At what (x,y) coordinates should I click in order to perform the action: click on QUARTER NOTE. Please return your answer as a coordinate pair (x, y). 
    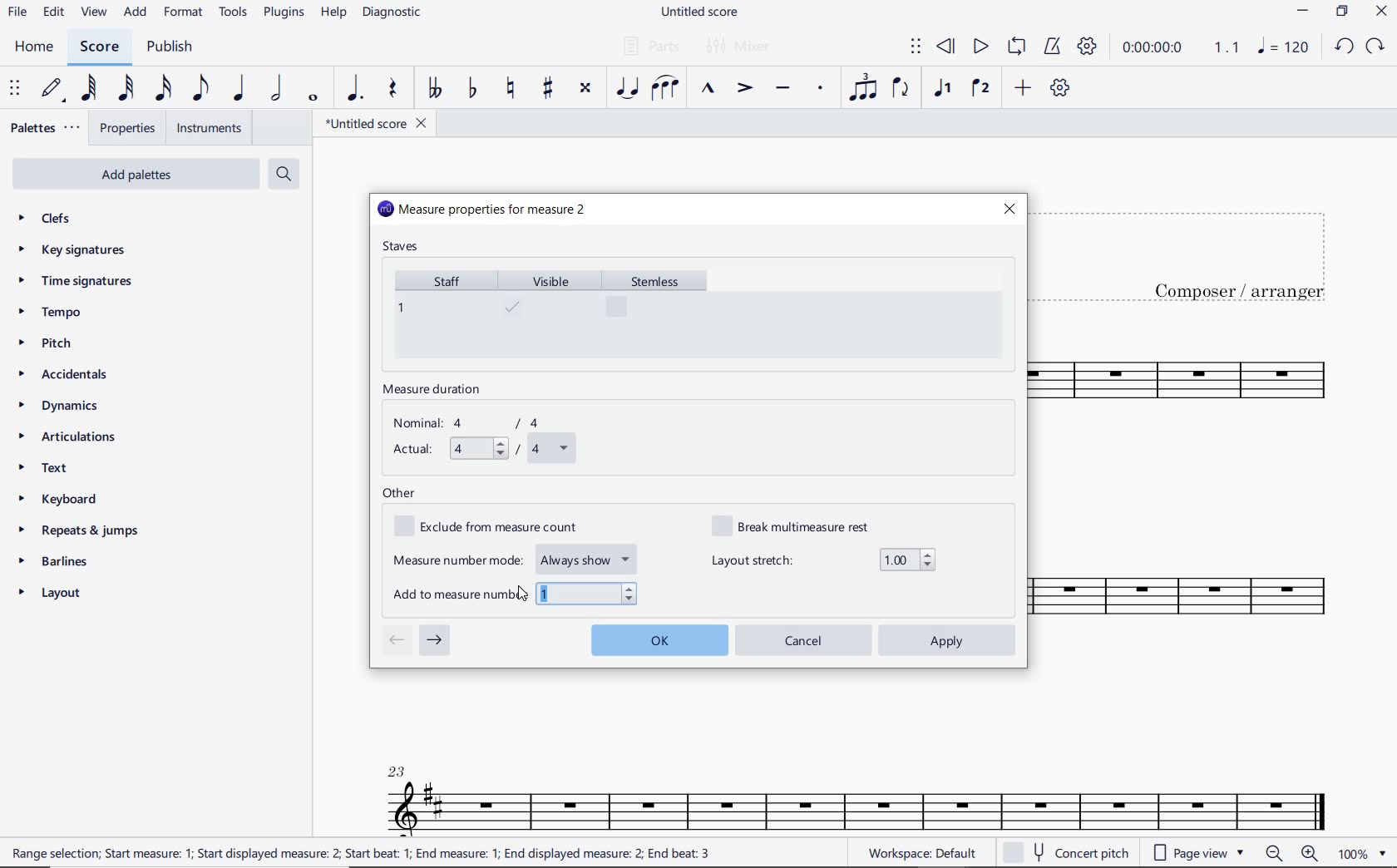
    Looking at the image, I should click on (239, 89).